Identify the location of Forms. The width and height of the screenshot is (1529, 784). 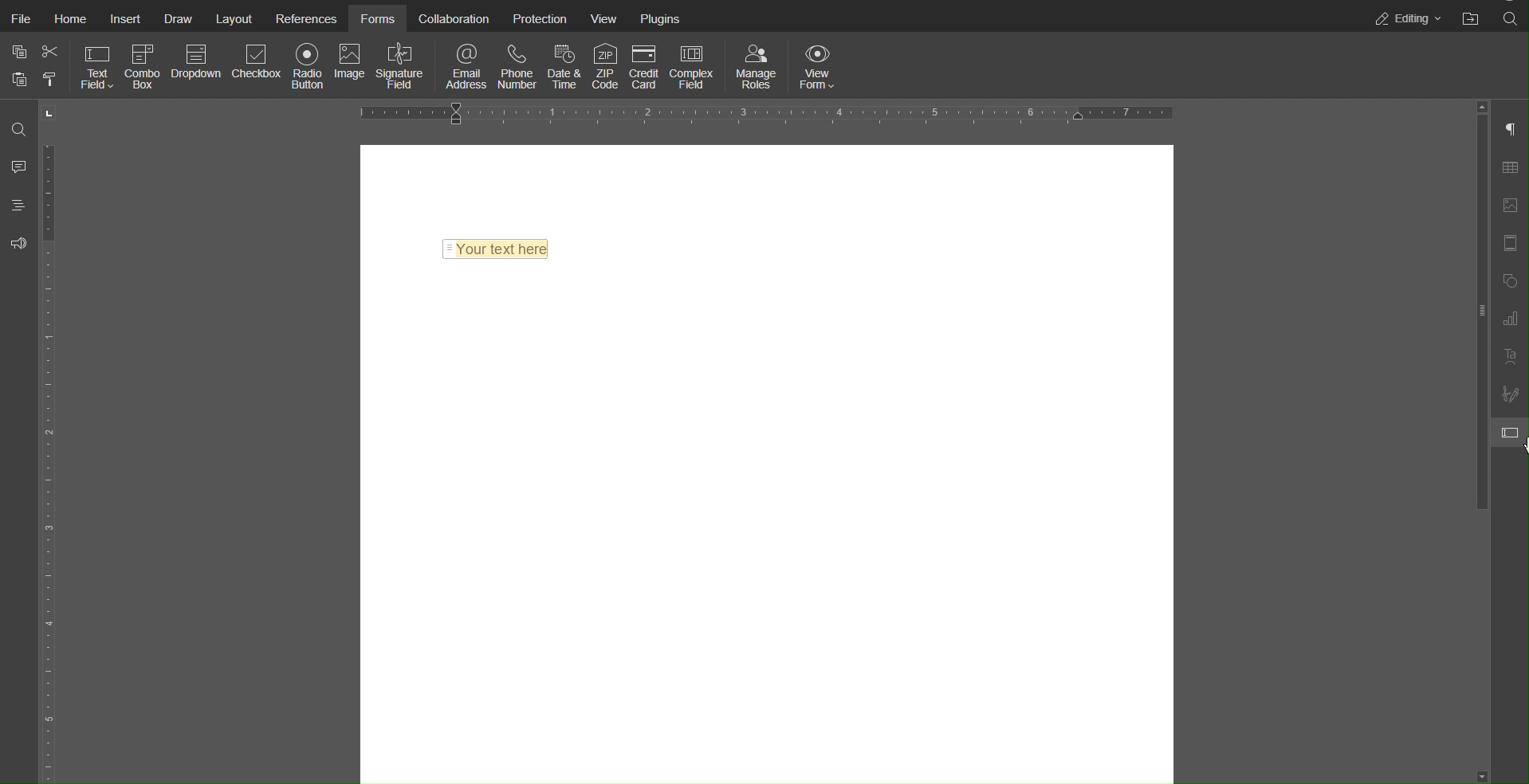
(378, 20).